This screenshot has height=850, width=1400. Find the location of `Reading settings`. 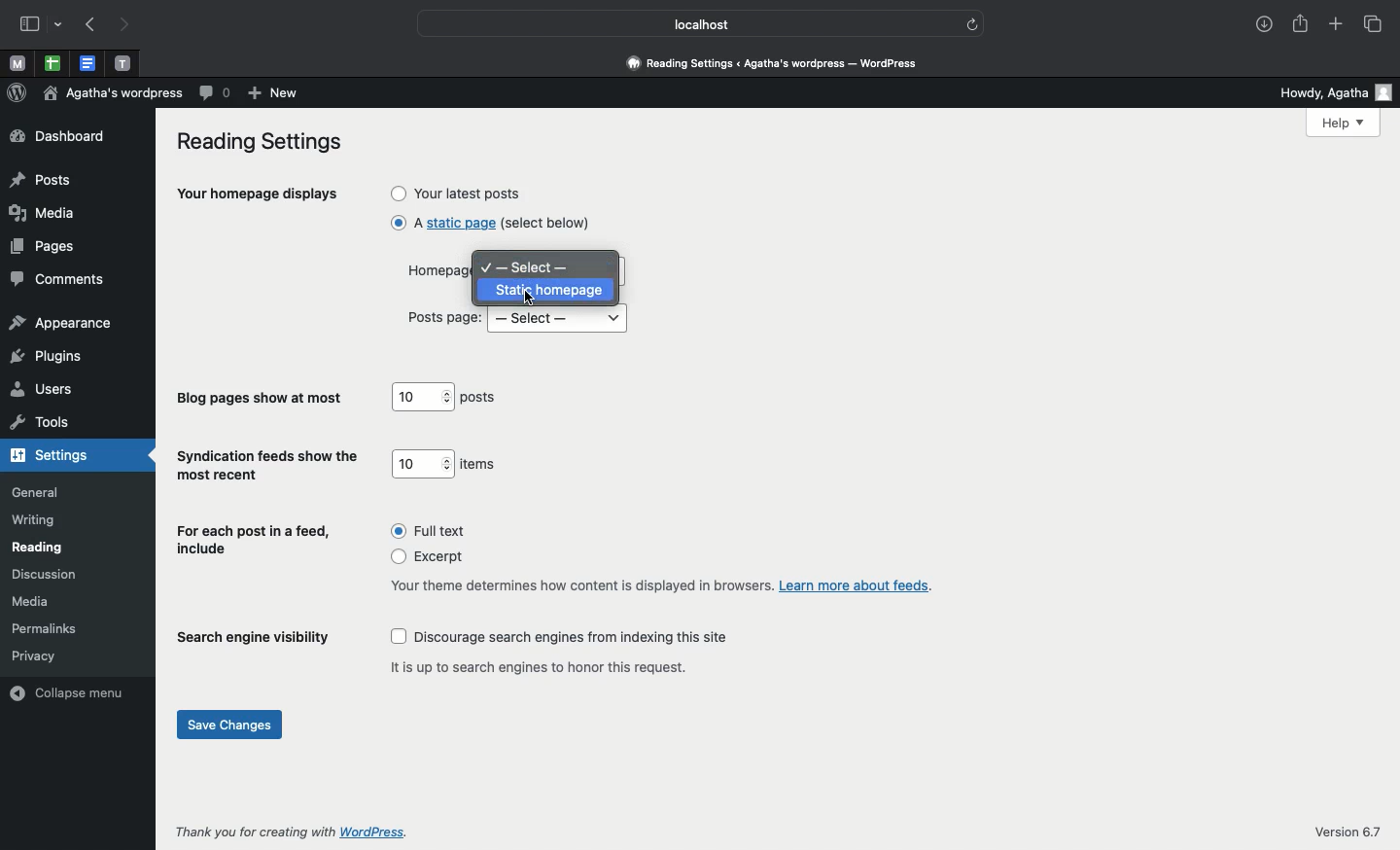

Reading settings is located at coordinates (266, 143).